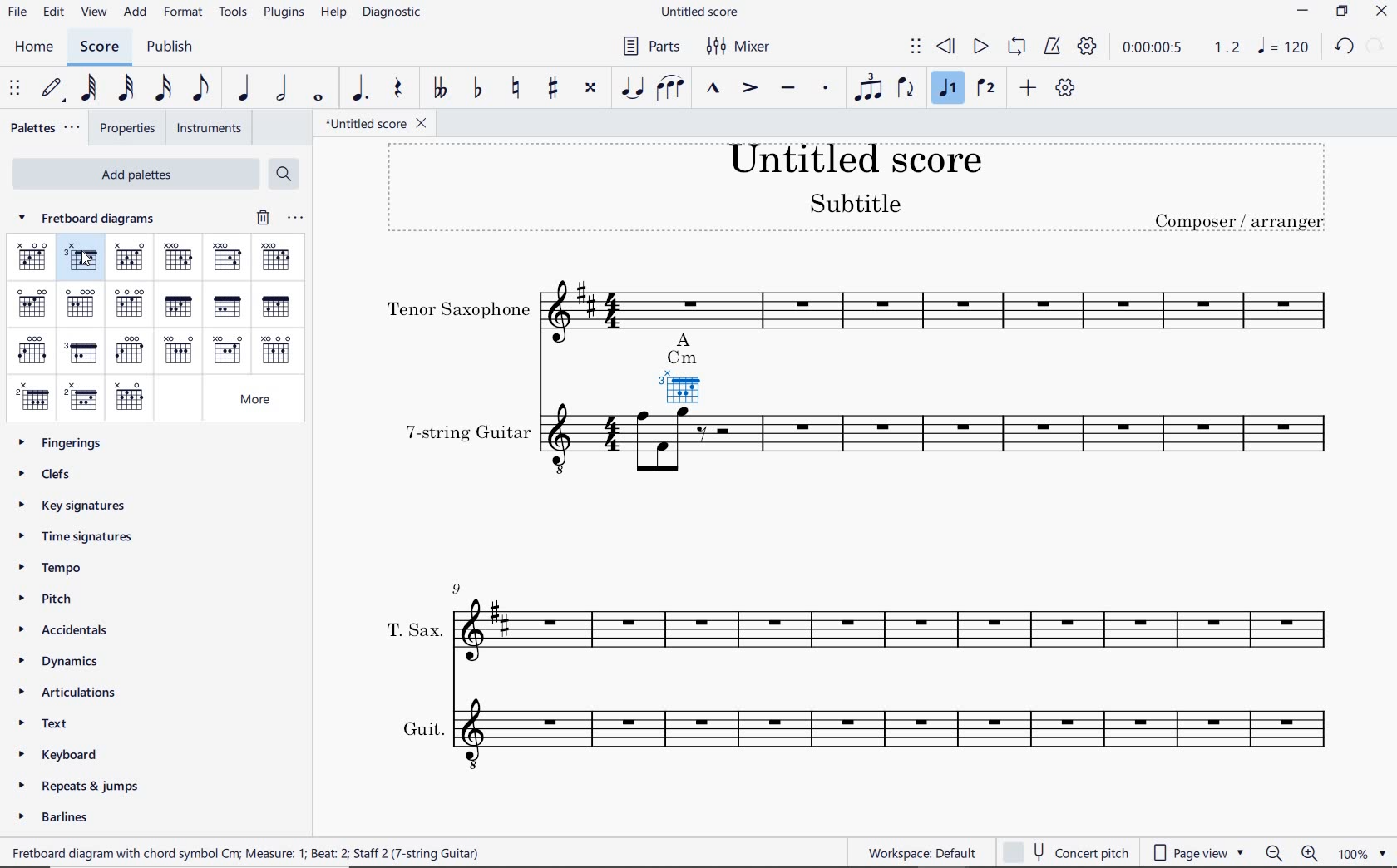 The height and width of the screenshot is (868, 1397). I want to click on KEYBOARD, so click(67, 756).